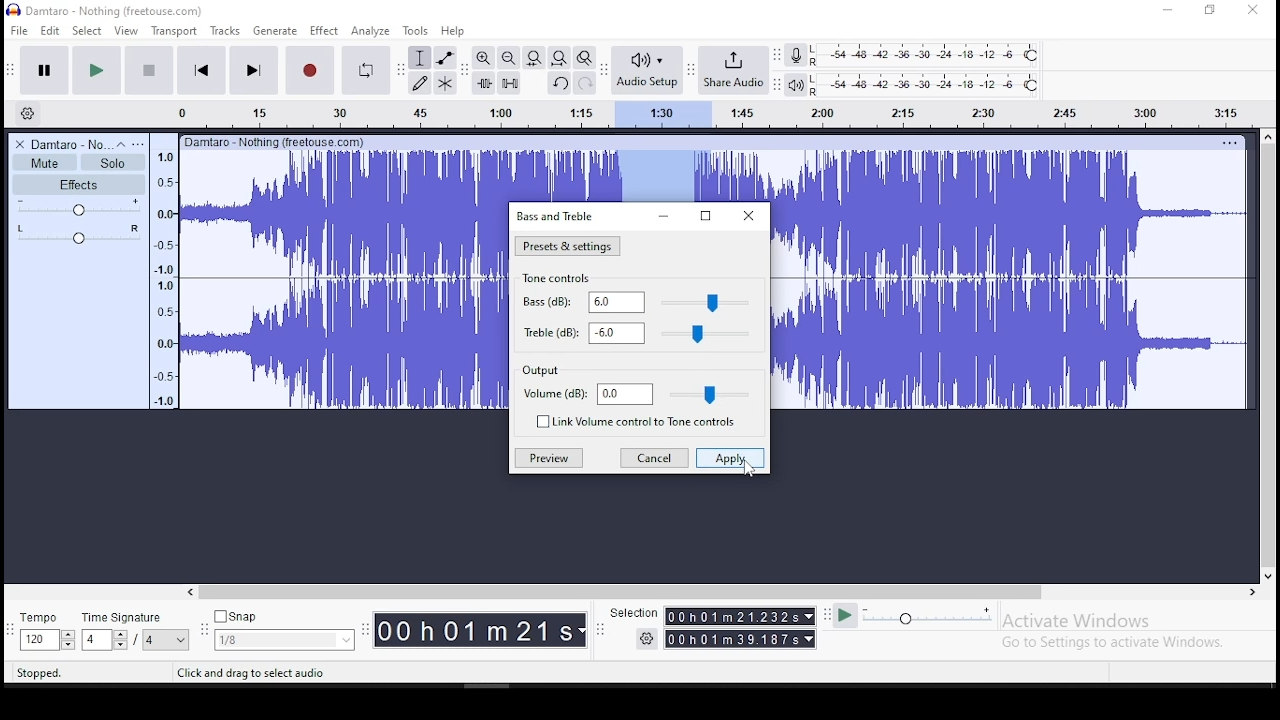 Image resolution: width=1280 pixels, height=720 pixels. I want to click on , so click(465, 69).